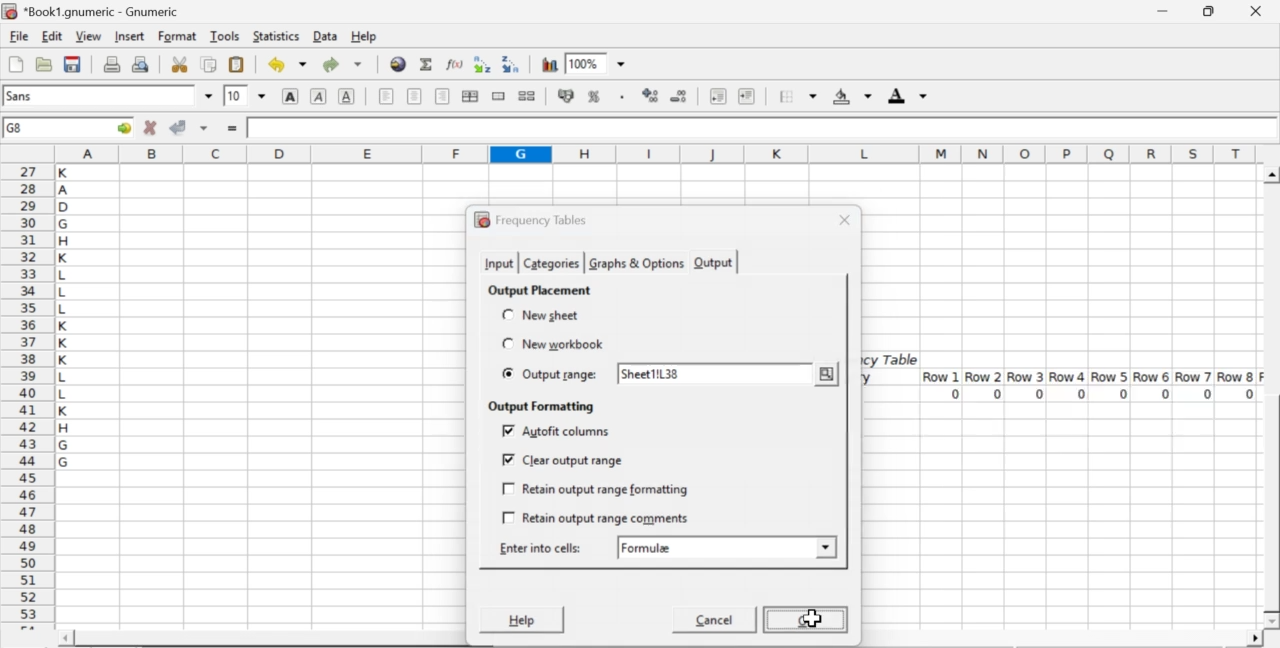 The image size is (1280, 648). Describe the element at coordinates (415, 96) in the screenshot. I see `center horizontally` at that location.